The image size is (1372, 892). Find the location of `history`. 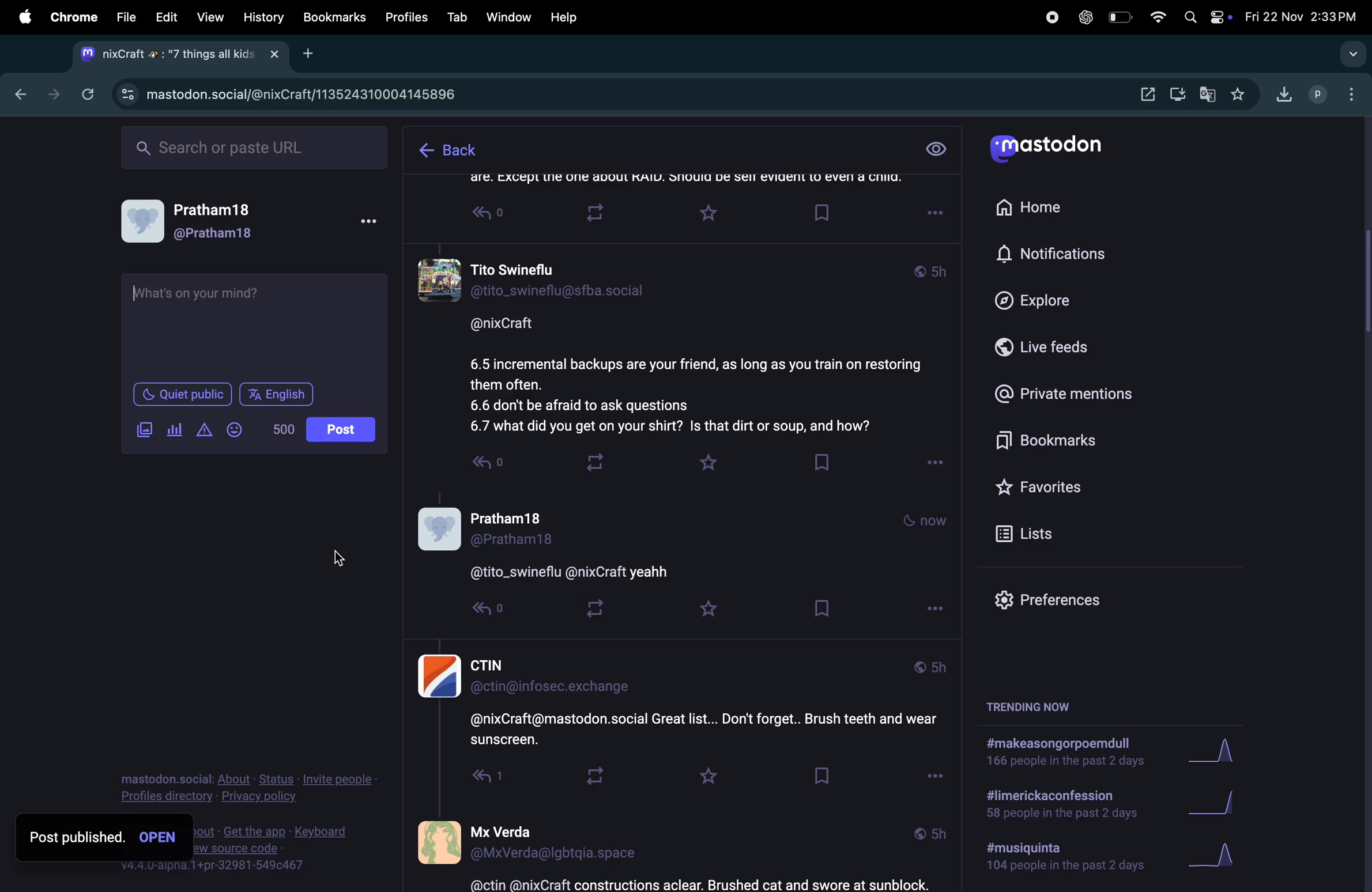

history is located at coordinates (265, 17).